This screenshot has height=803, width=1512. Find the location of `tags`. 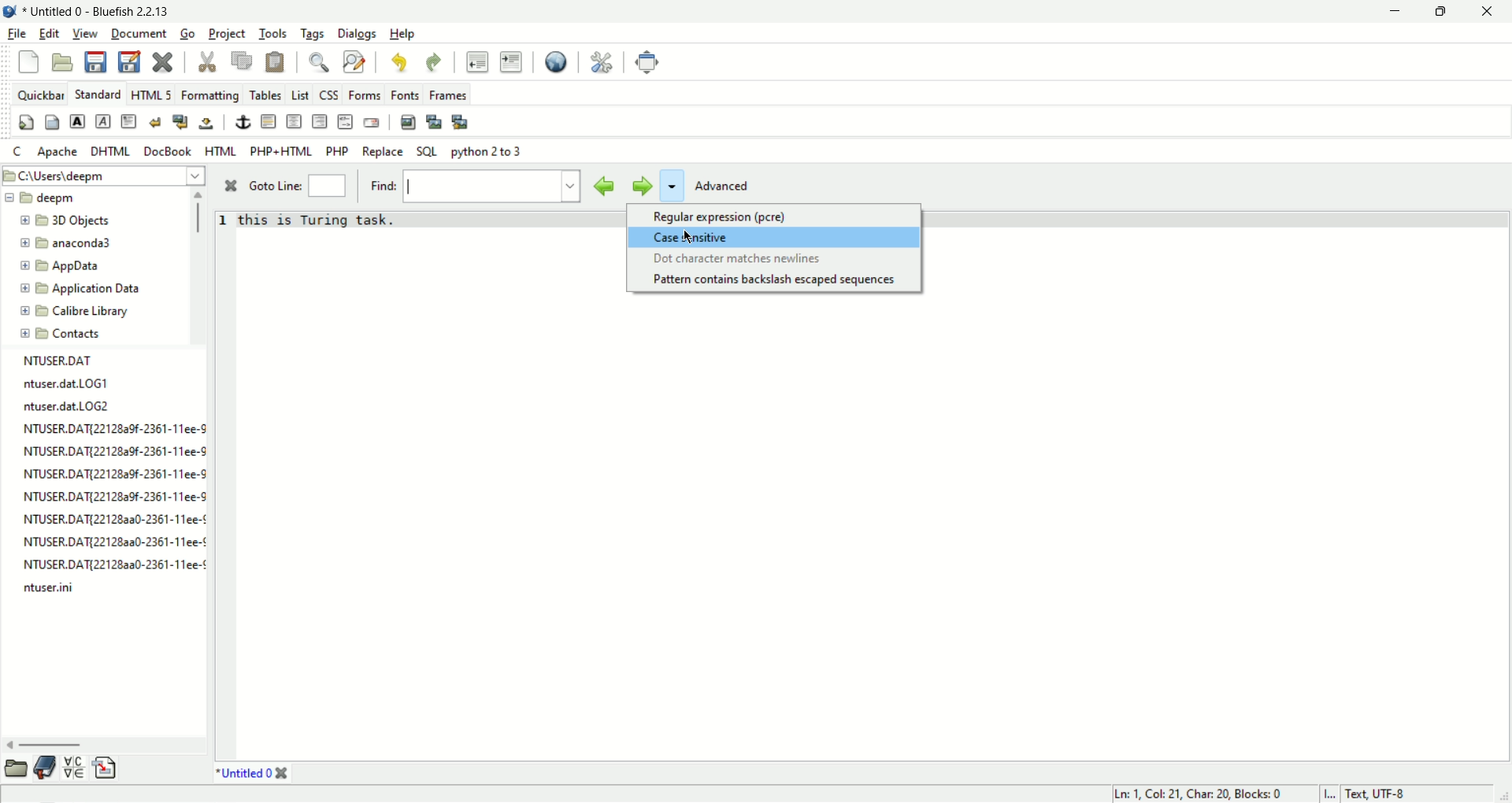

tags is located at coordinates (313, 34).